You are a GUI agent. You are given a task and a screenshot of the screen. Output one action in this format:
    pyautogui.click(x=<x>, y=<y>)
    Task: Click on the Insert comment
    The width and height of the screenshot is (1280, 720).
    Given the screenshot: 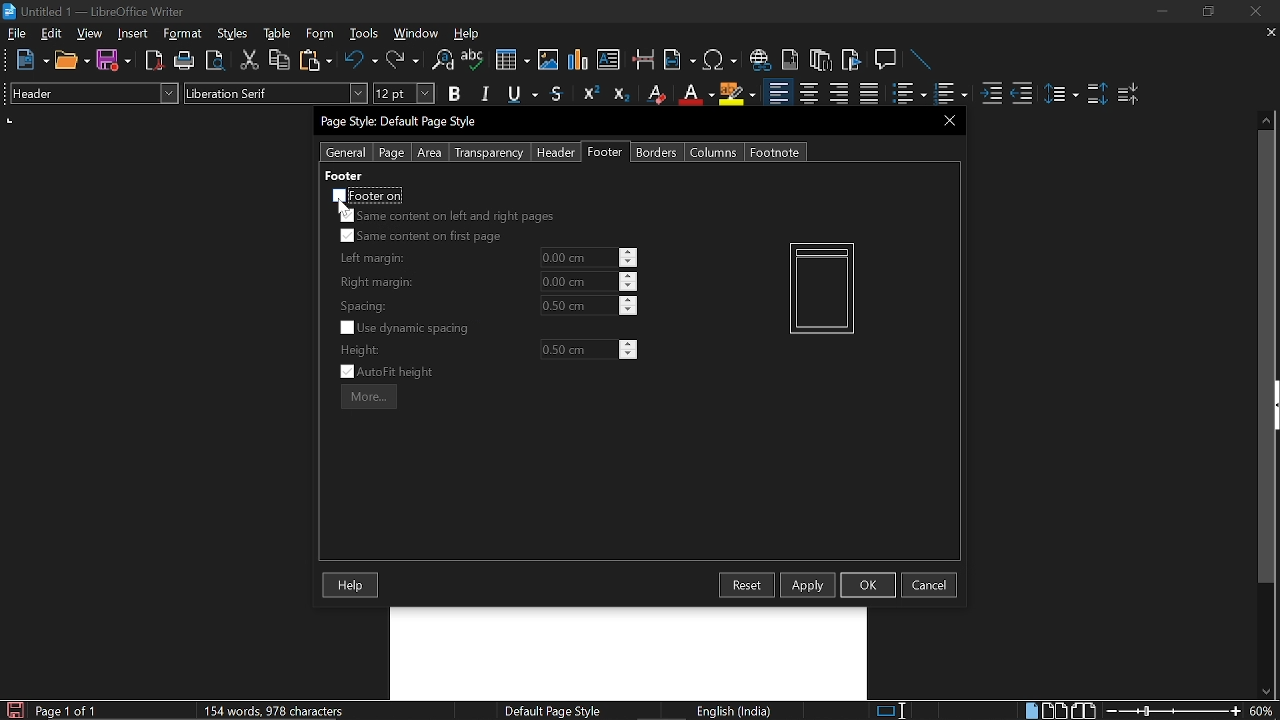 What is the action you would take?
    pyautogui.click(x=888, y=60)
    